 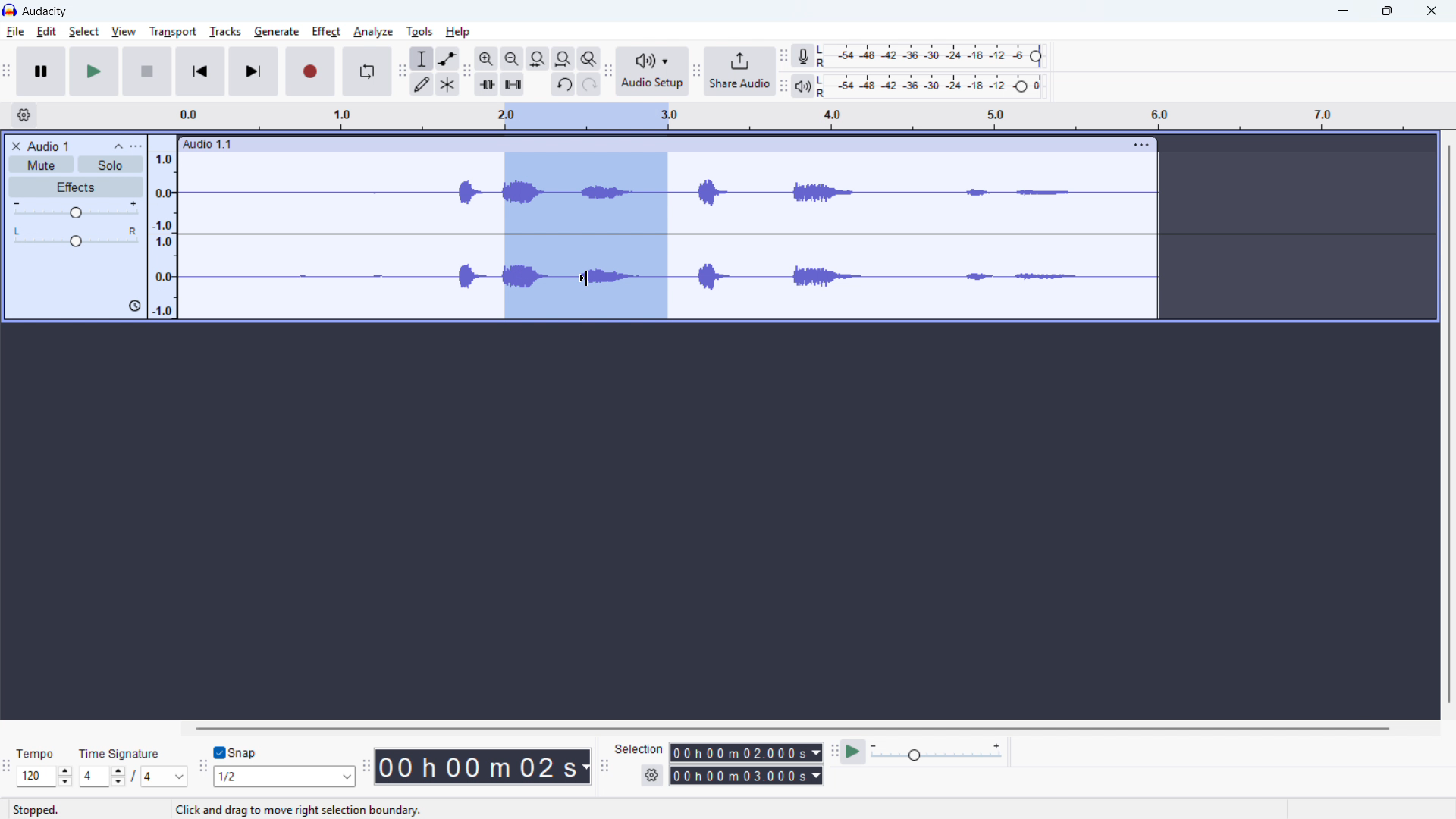 What do you see at coordinates (312, 72) in the screenshot?
I see `Record` at bounding box center [312, 72].